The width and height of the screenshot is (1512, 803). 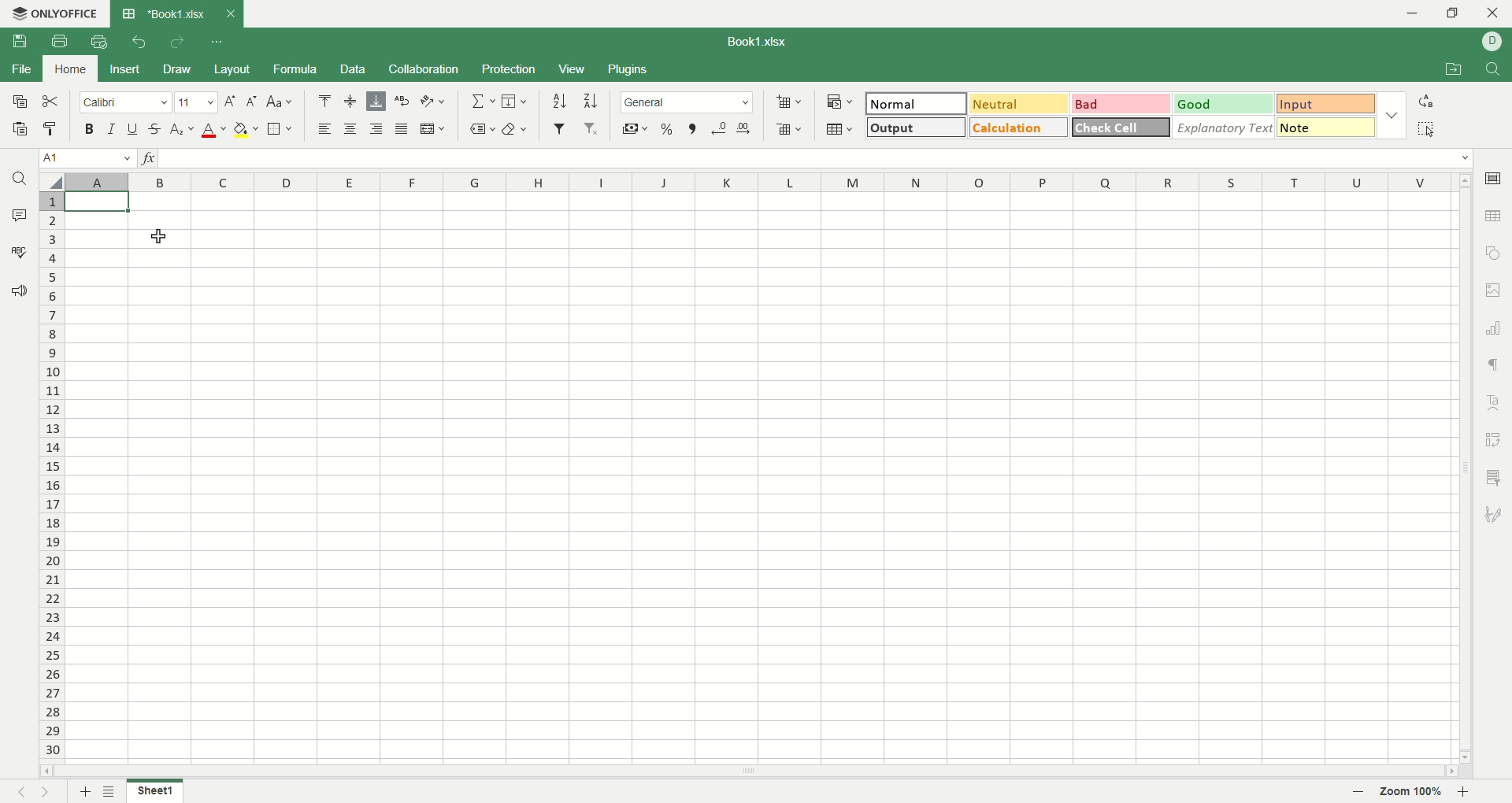 What do you see at coordinates (20, 41) in the screenshot?
I see `save` at bounding box center [20, 41].